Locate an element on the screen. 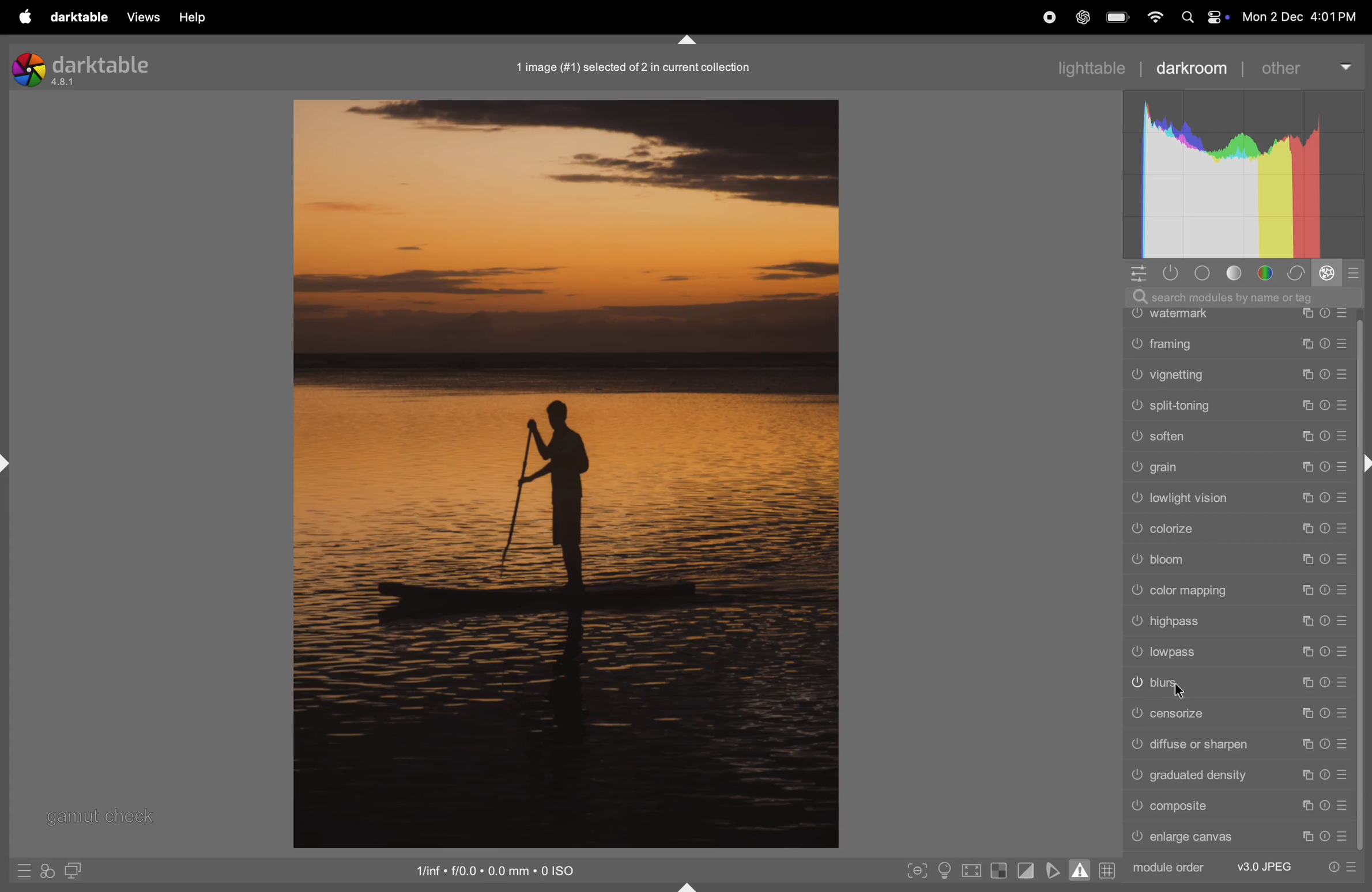 The height and width of the screenshot is (892, 1372). effect is located at coordinates (1329, 273).